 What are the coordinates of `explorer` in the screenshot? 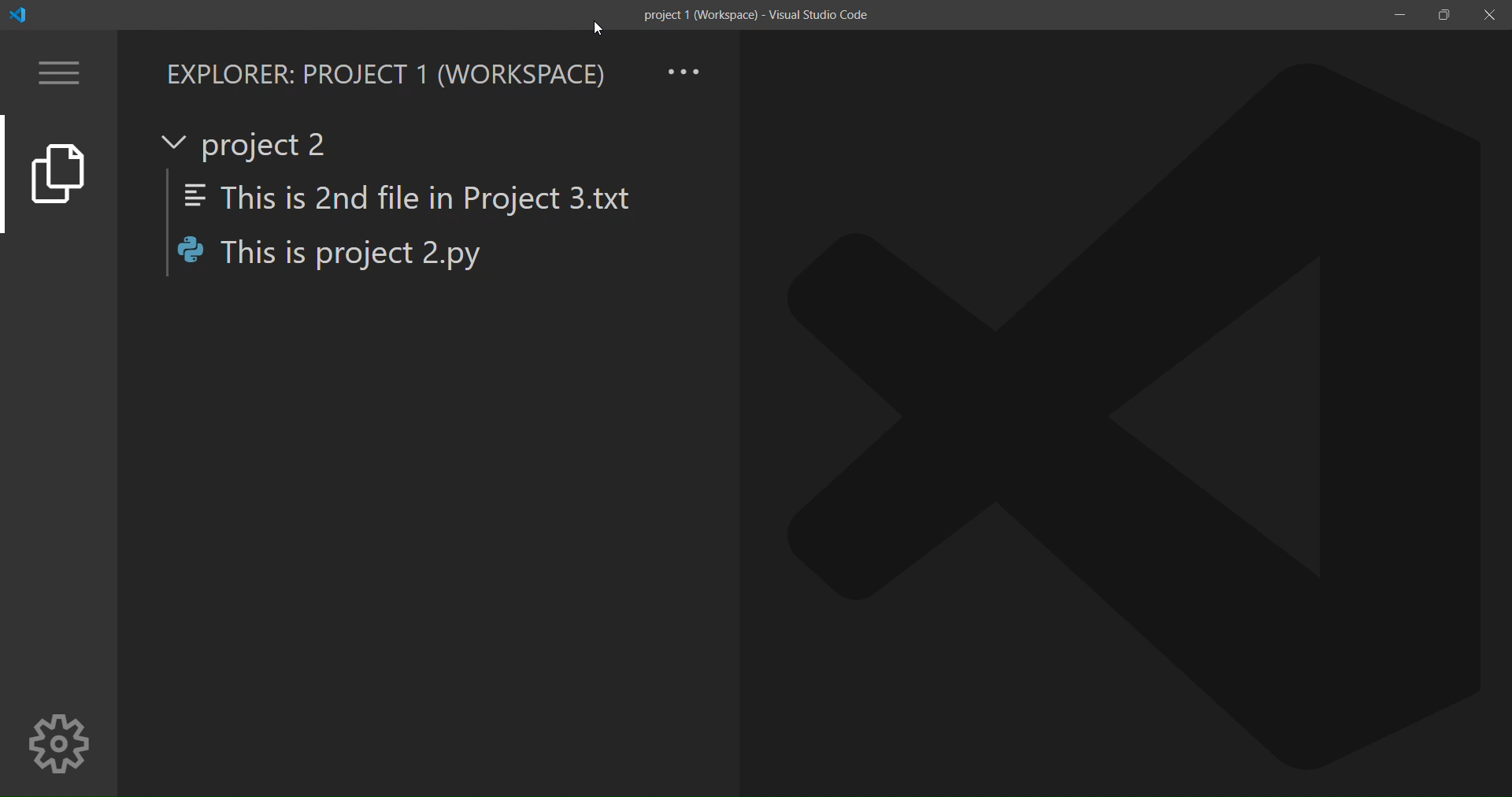 It's located at (65, 165).